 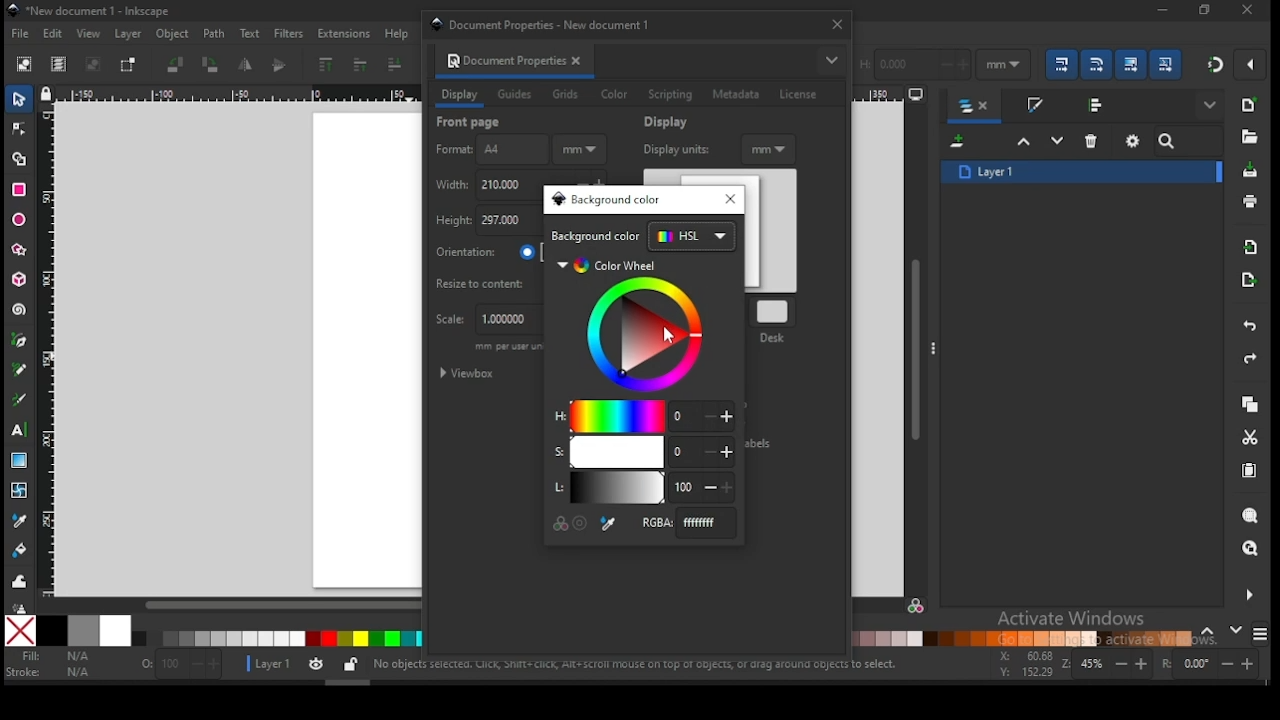 What do you see at coordinates (1260, 634) in the screenshot?
I see `color modes` at bounding box center [1260, 634].